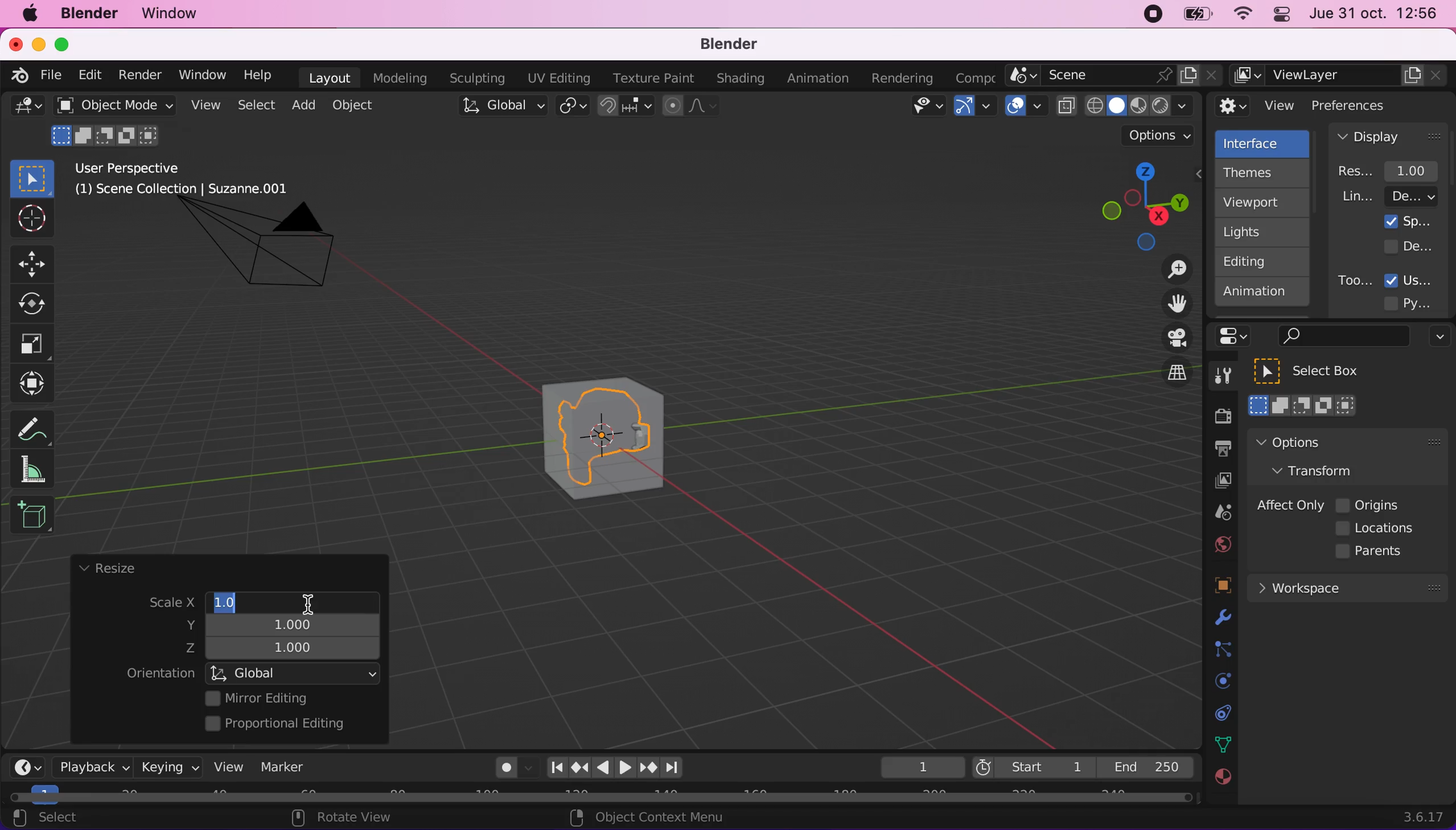 The width and height of the screenshot is (1456, 830). Describe the element at coordinates (168, 767) in the screenshot. I see `keying` at that location.